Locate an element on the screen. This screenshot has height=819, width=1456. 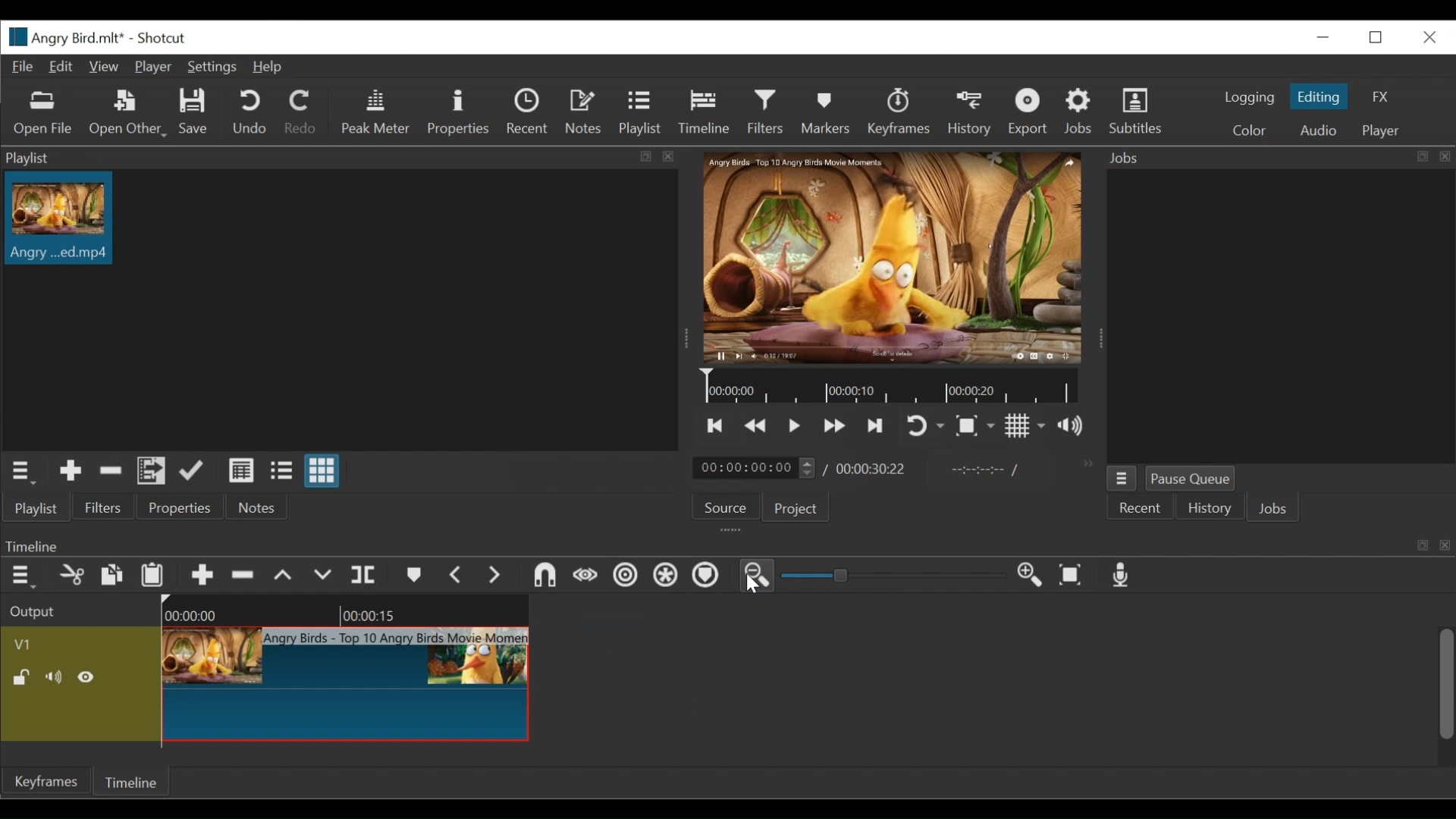
Sow volume control is located at coordinates (1070, 425).